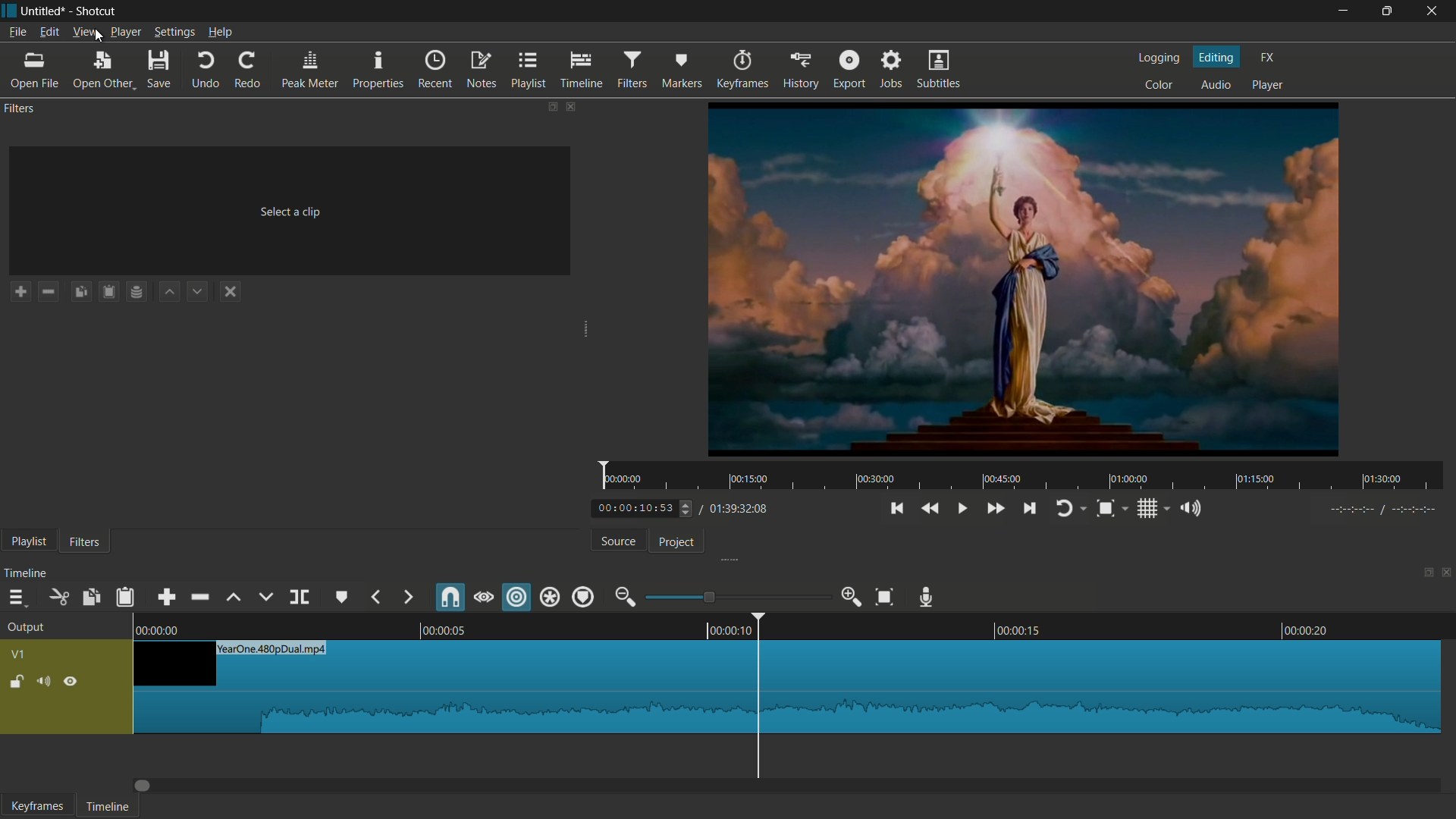 The width and height of the screenshot is (1456, 819). What do you see at coordinates (570, 106) in the screenshot?
I see `close filters` at bounding box center [570, 106].